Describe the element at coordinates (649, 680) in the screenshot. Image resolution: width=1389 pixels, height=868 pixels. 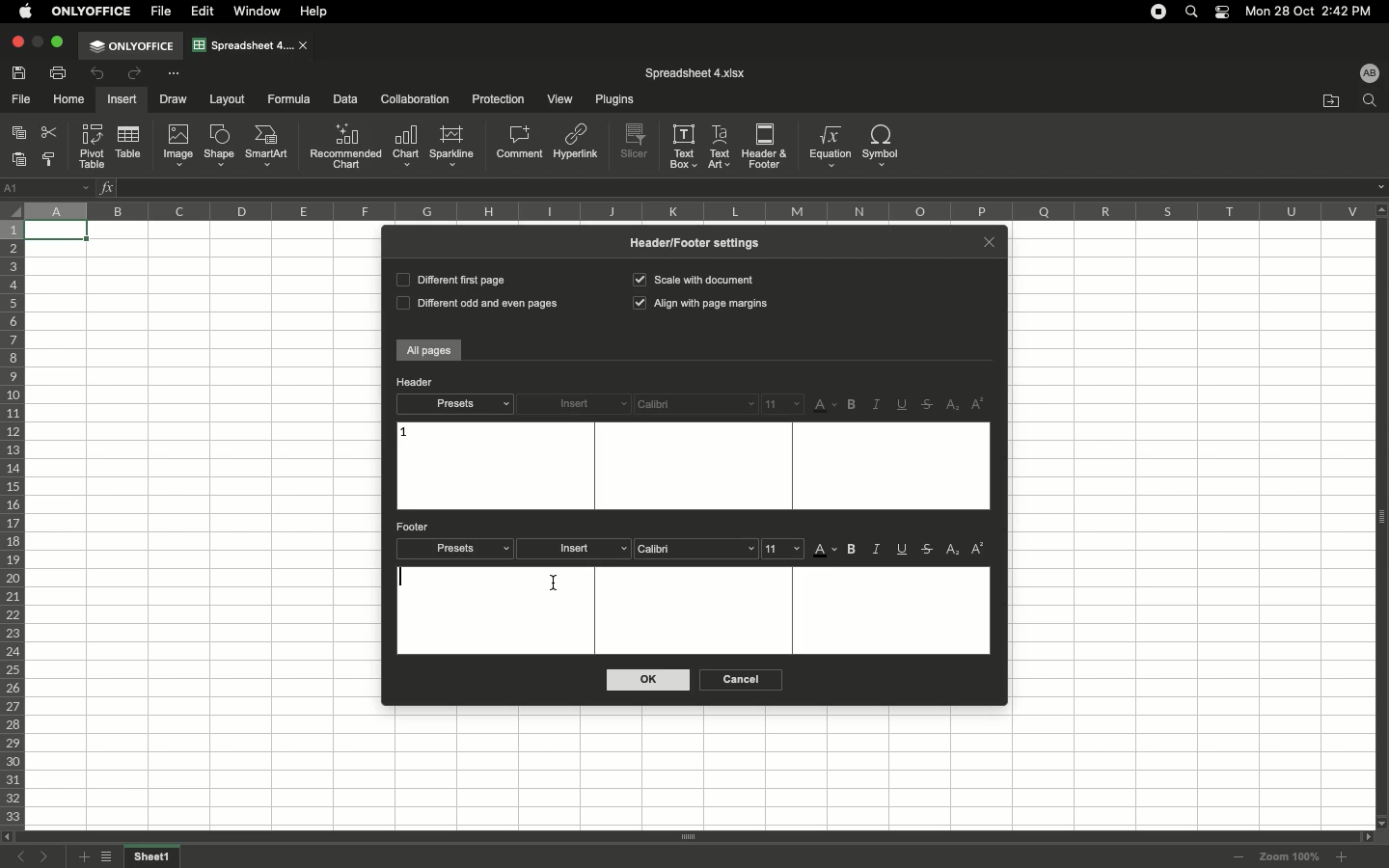
I see `OK` at that location.